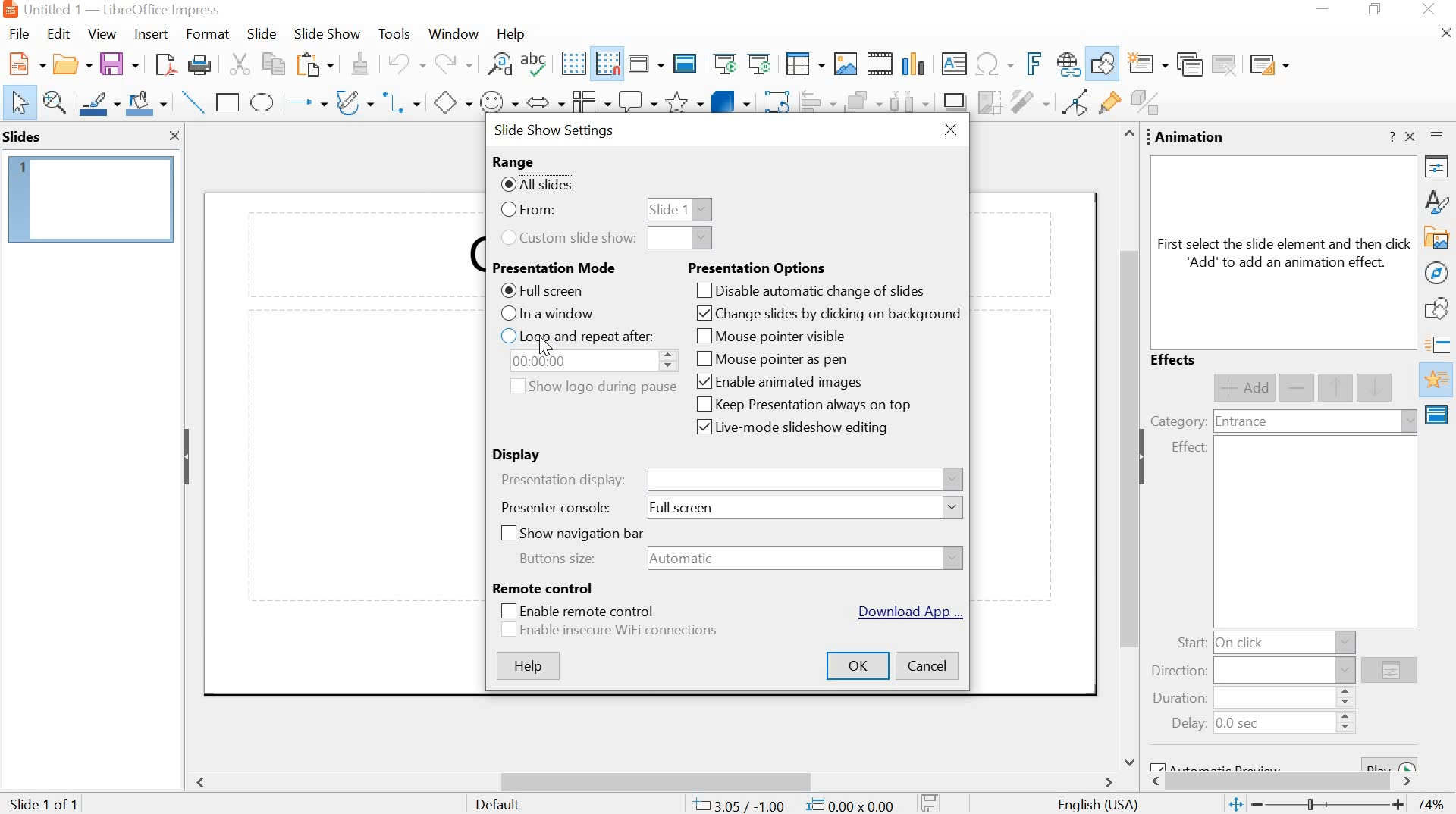 This screenshot has height=814, width=1456. I want to click on shapes, so click(1439, 311).